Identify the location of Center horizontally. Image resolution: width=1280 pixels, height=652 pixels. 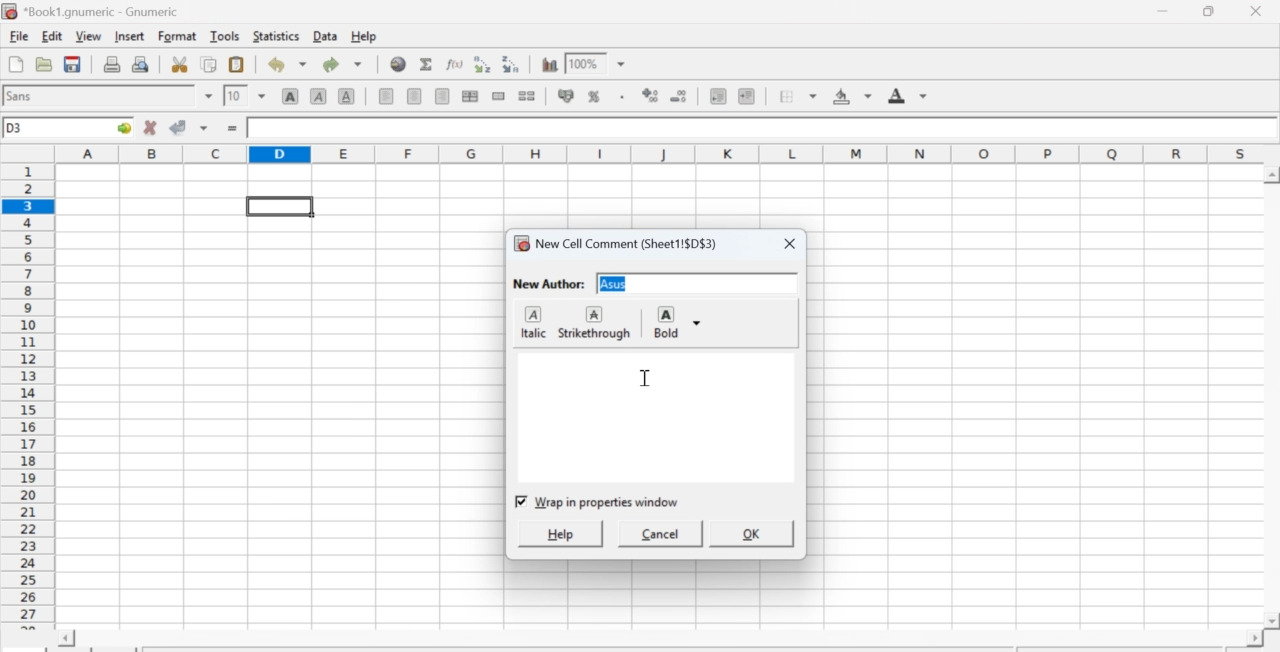
(413, 95).